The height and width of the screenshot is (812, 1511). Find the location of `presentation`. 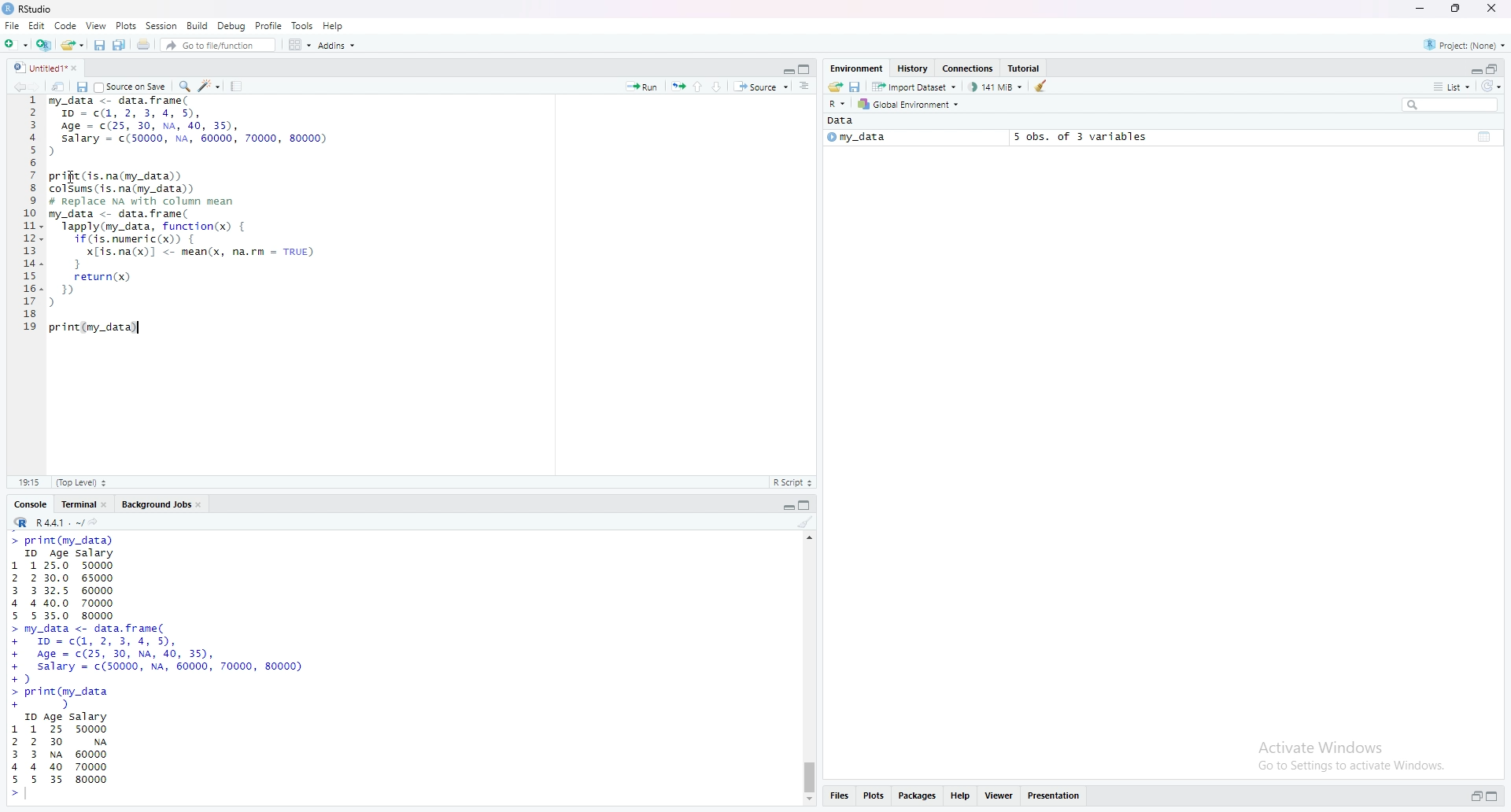

presentation is located at coordinates (1059, 795).